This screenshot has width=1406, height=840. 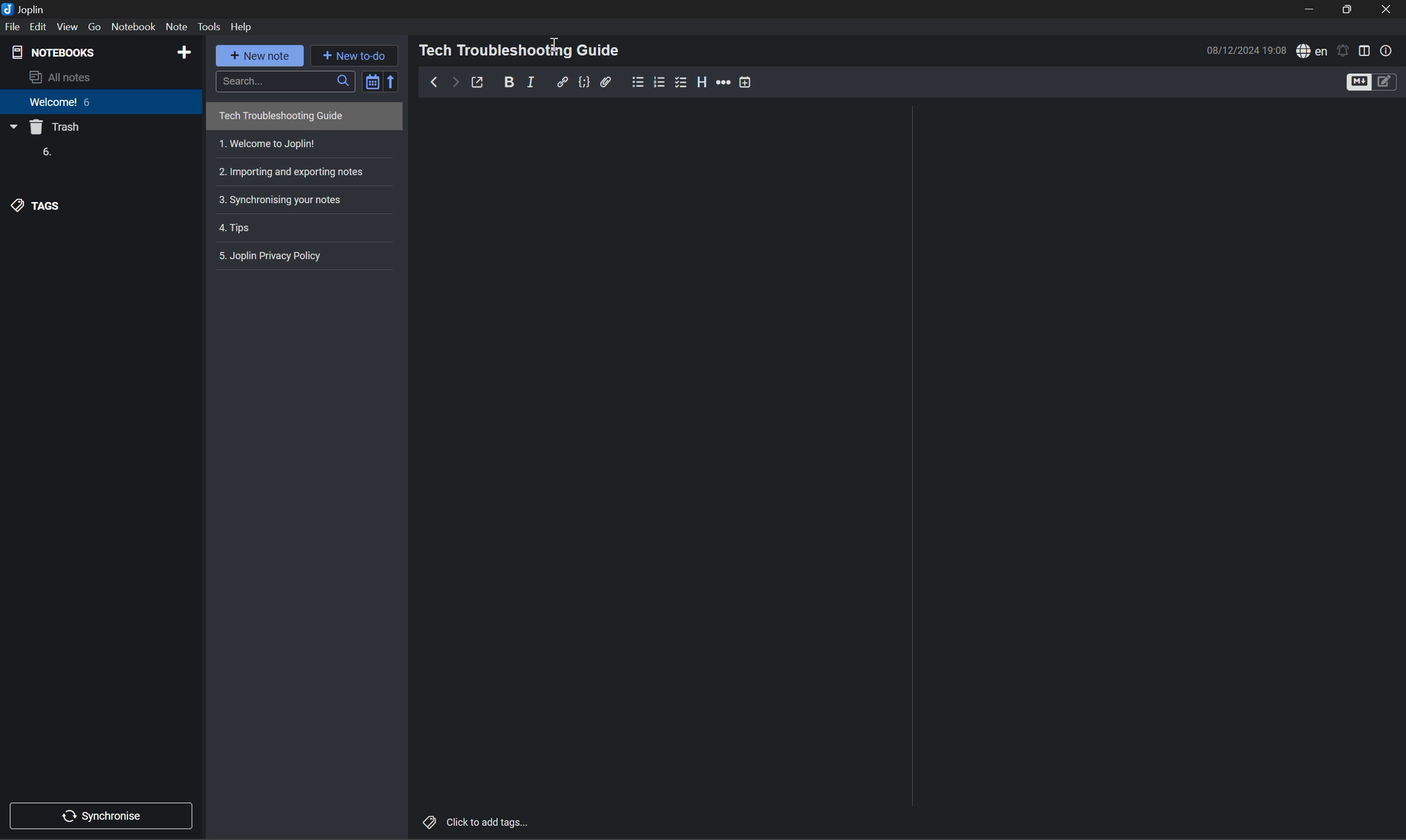 What do you see at coordinates (211, 27) in the screenshot?
I see `Tools` at bounding box center [211, 27].